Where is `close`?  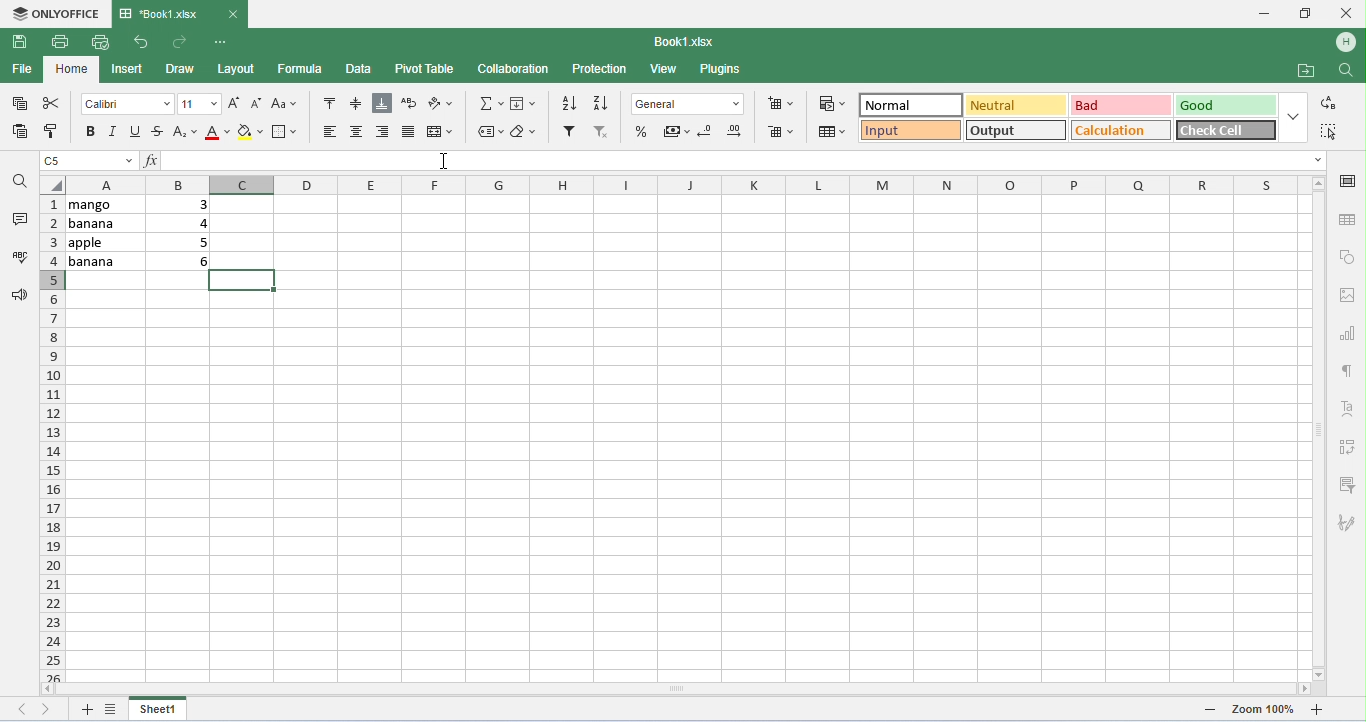 close is located at coordinates (233, 14).